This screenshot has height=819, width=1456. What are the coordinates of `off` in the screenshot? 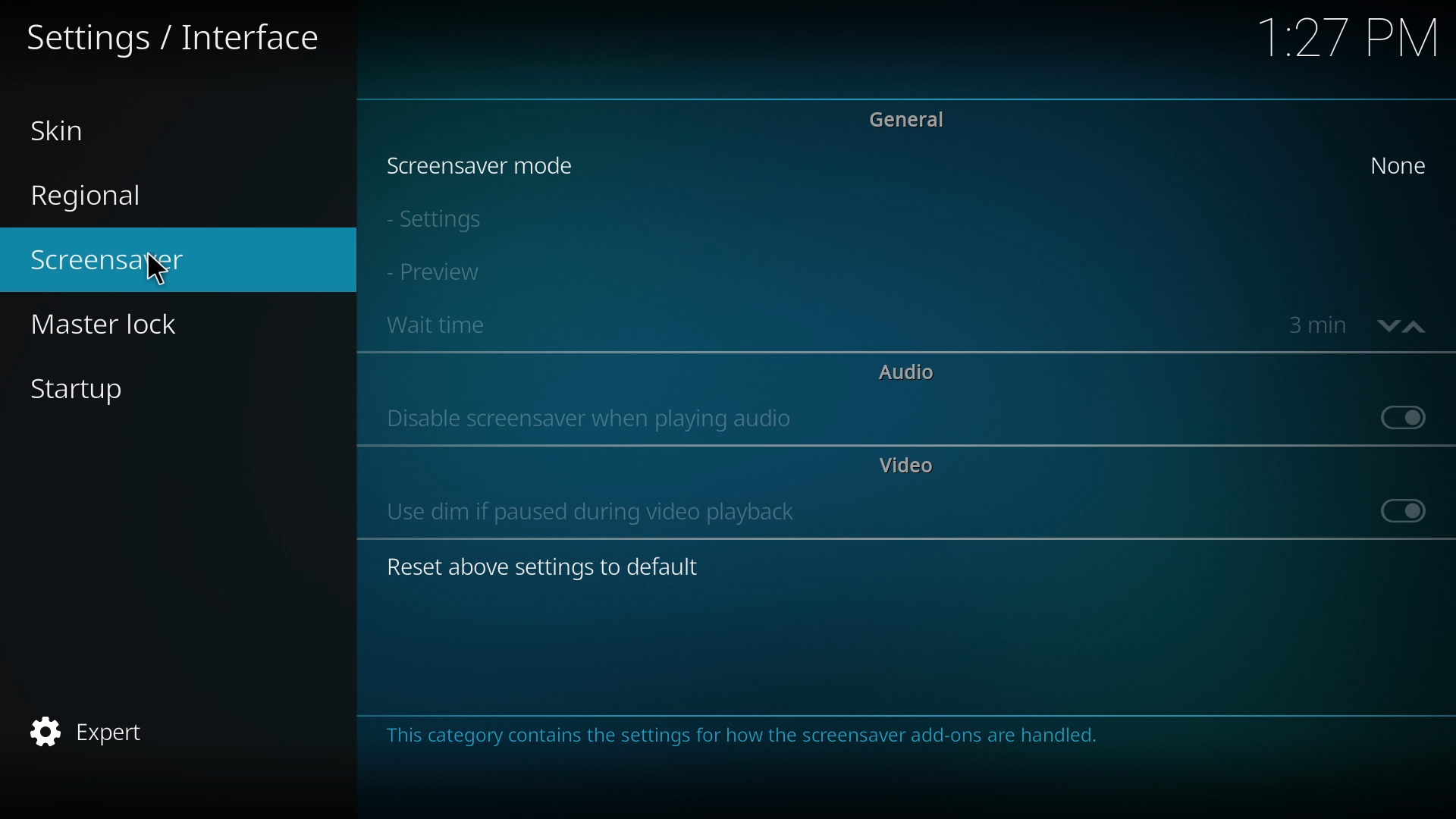 It's located at (1403, 417).